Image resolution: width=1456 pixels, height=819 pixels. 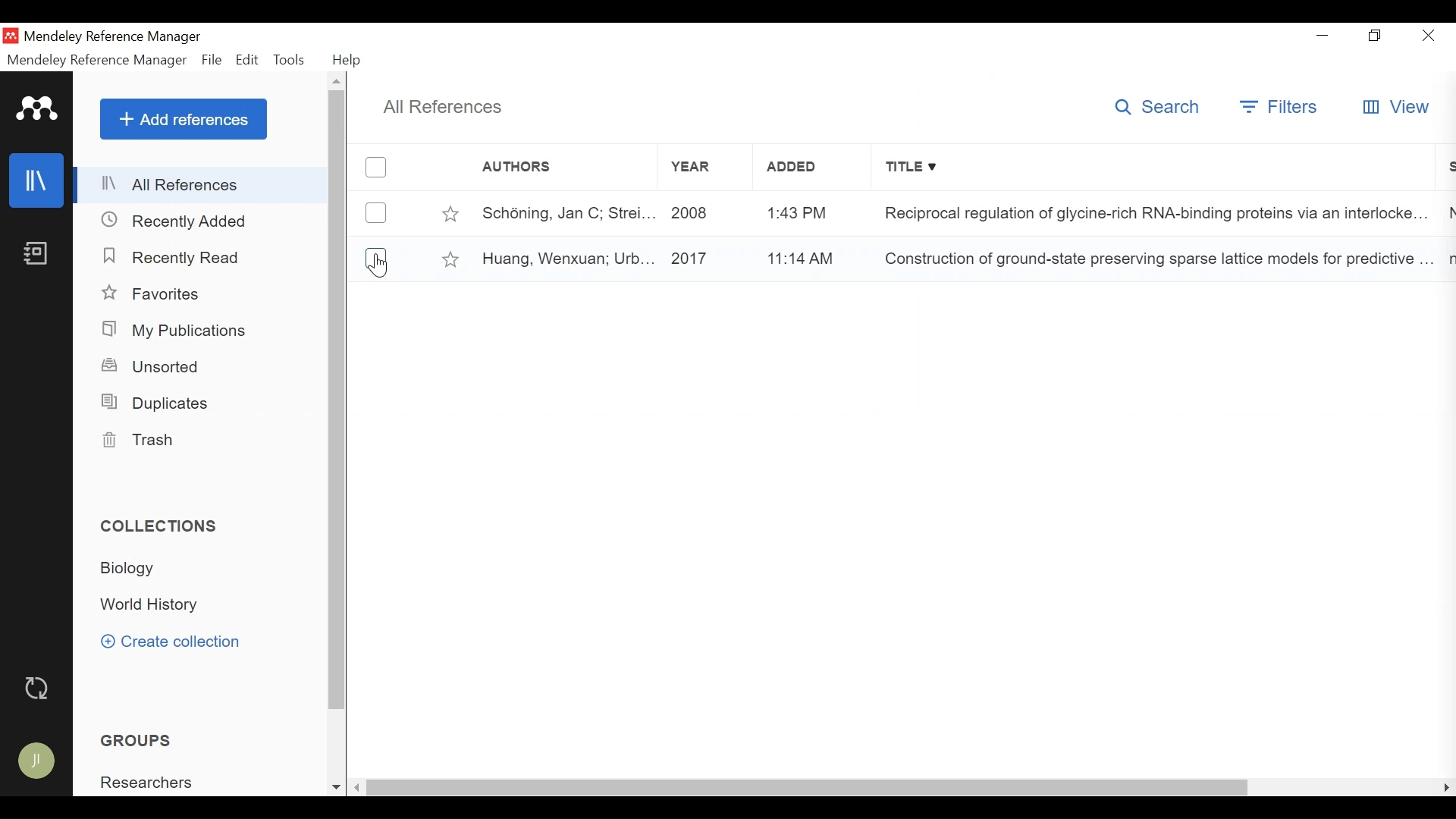 What do you see at coordinates (693, 260) in the screenshot?
I see `2017` at bounding box center [693, 260].